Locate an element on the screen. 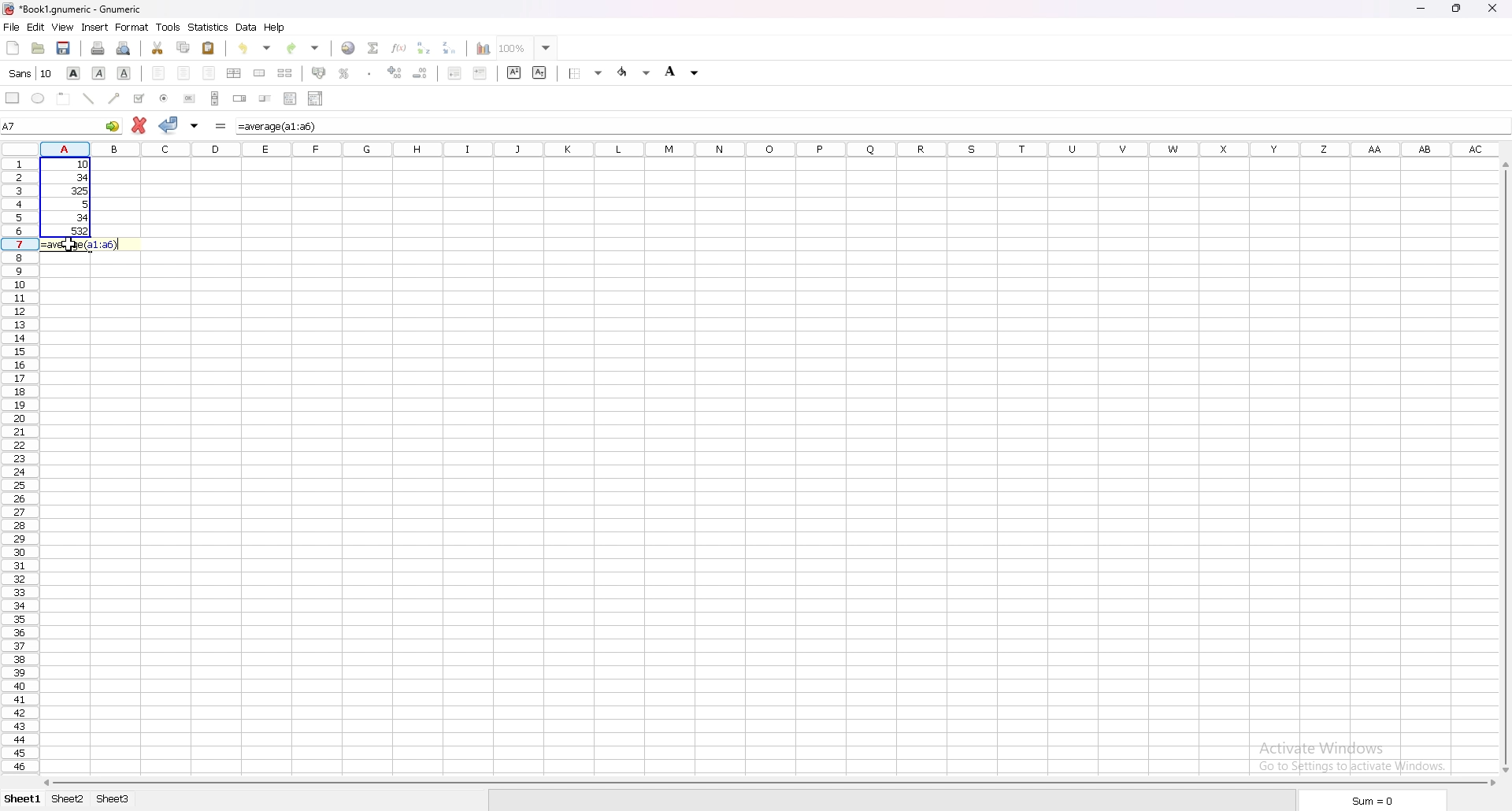  thousands separator is located at coordinates (369, 74).